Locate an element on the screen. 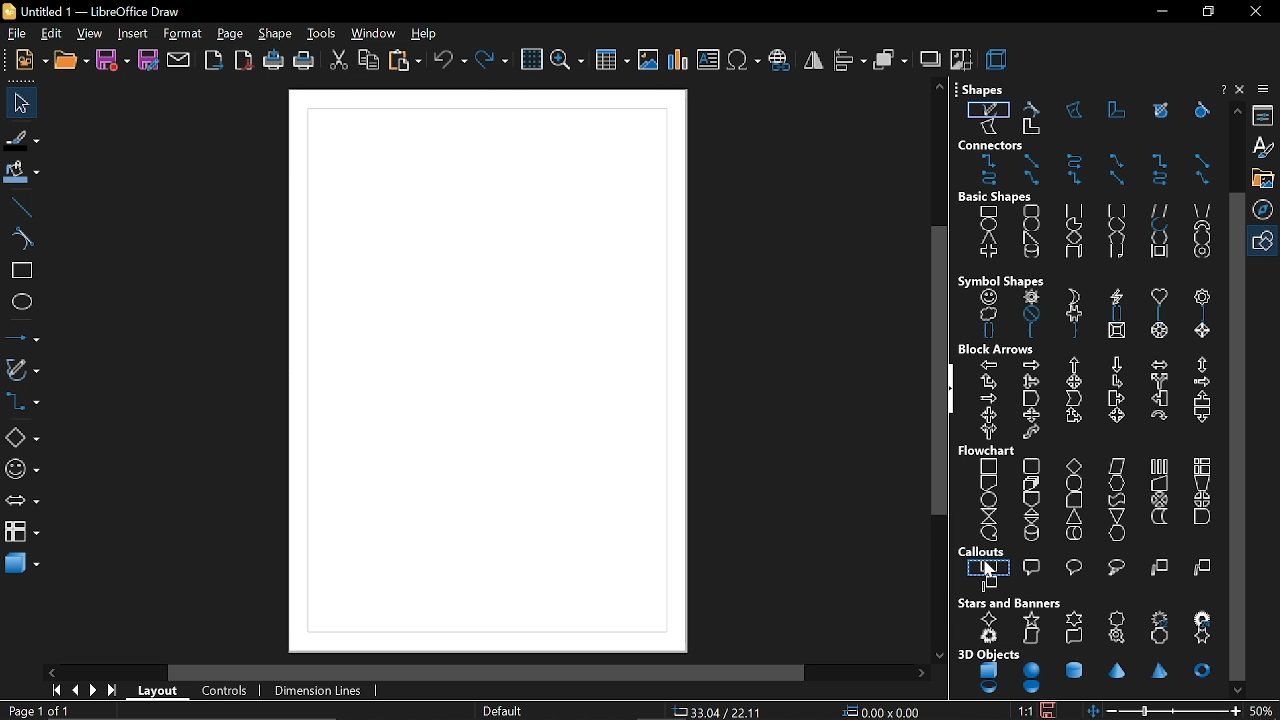  delay is located at coordinates (1201, 517).